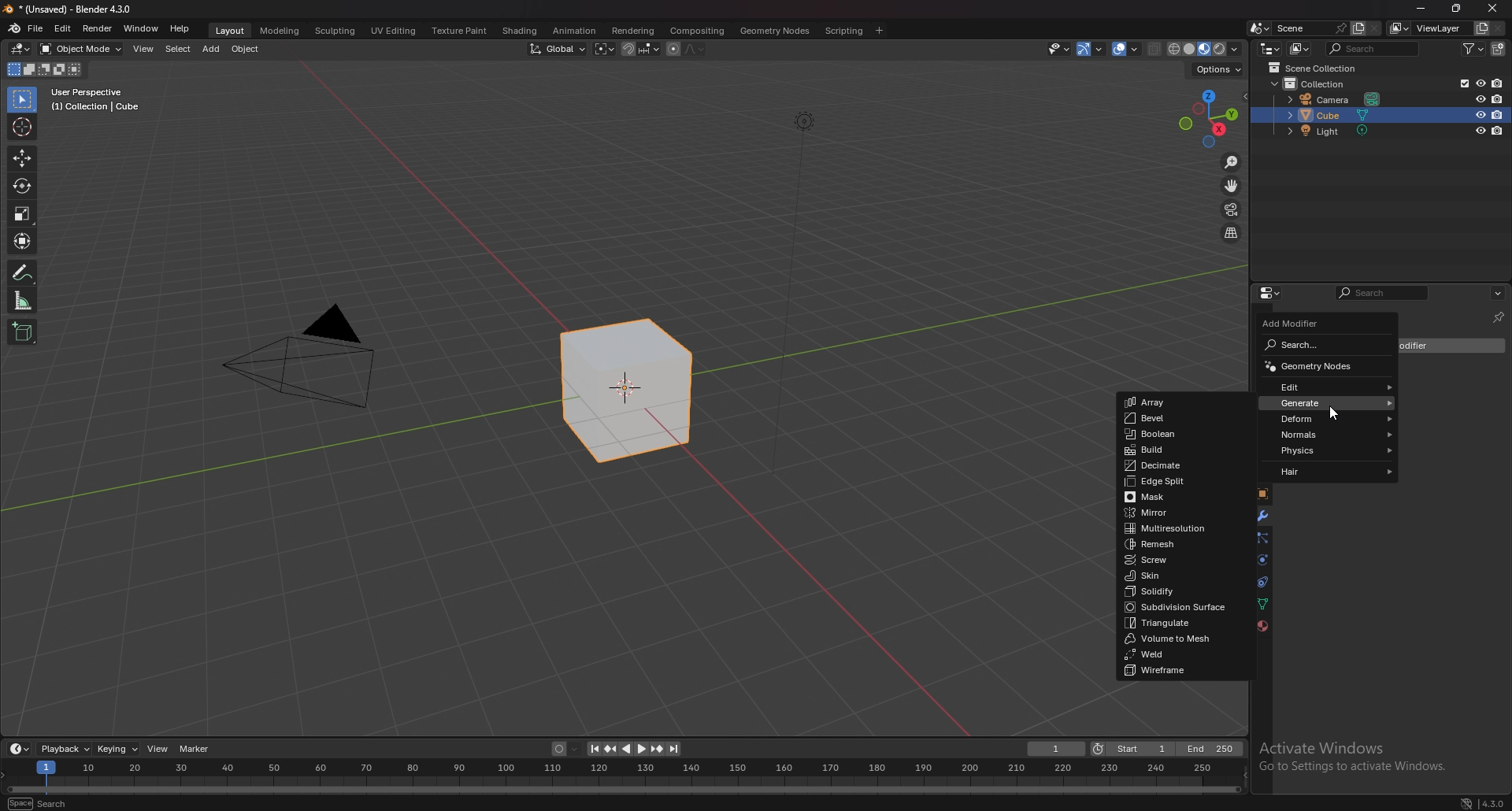 Image resolution: width=1512 pixels, height=811 pixels. Describe the element at coordinates (843, 31) in the screenshot. I see `scripting` at that location.